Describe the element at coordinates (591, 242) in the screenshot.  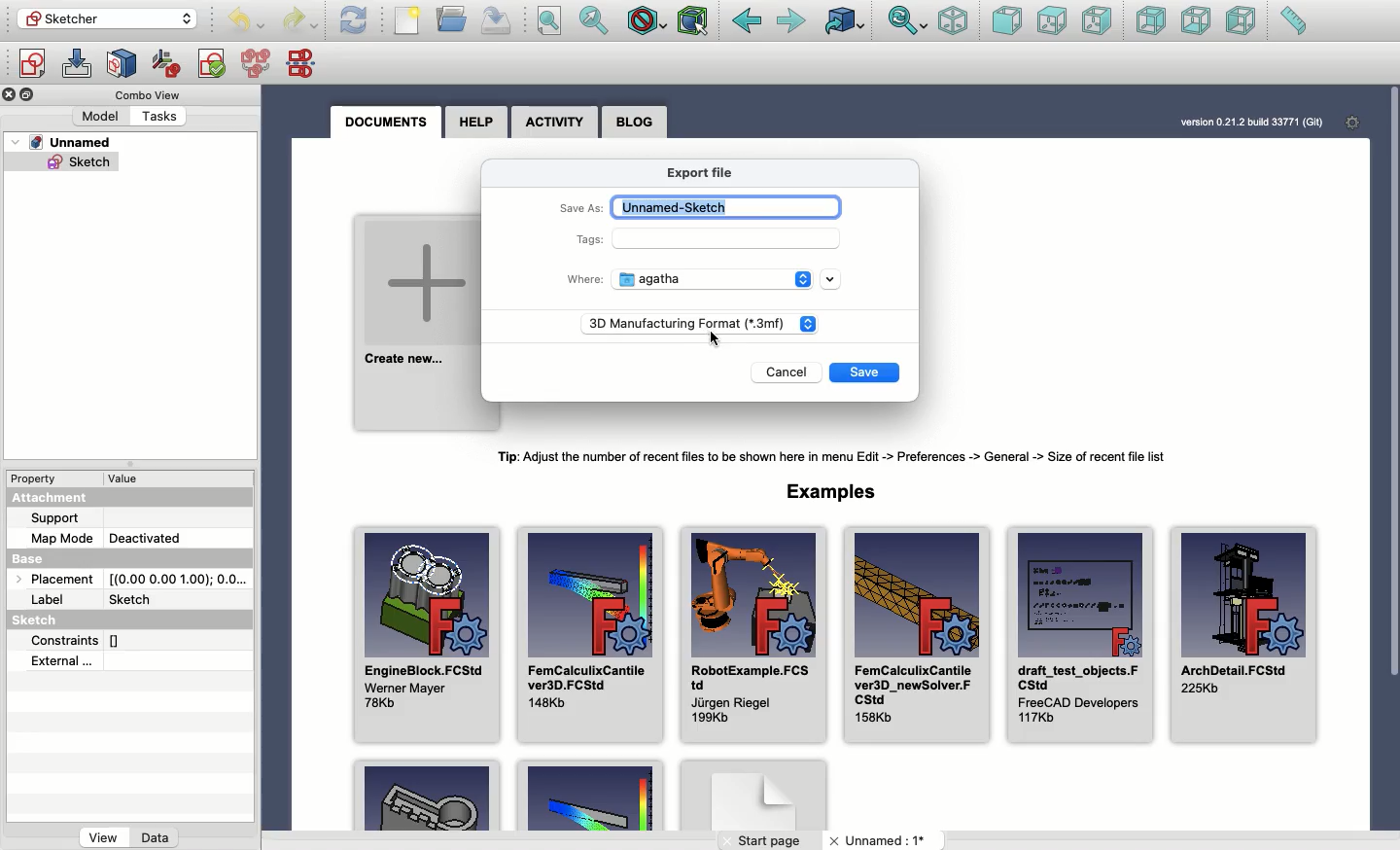
I see `Tags` at that location.